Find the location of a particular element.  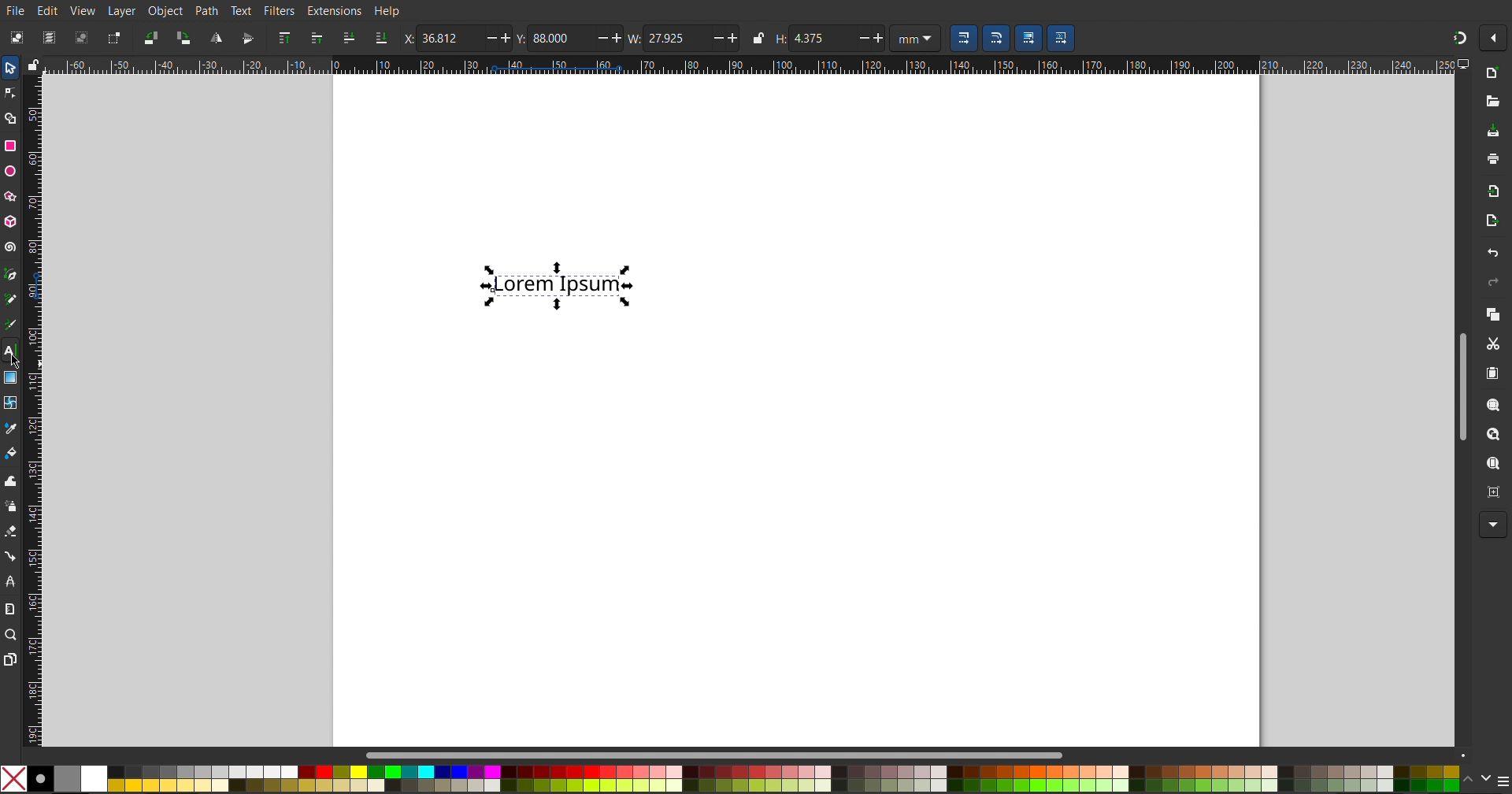

Shape Builder Tool is located at coordinates (13, 118).